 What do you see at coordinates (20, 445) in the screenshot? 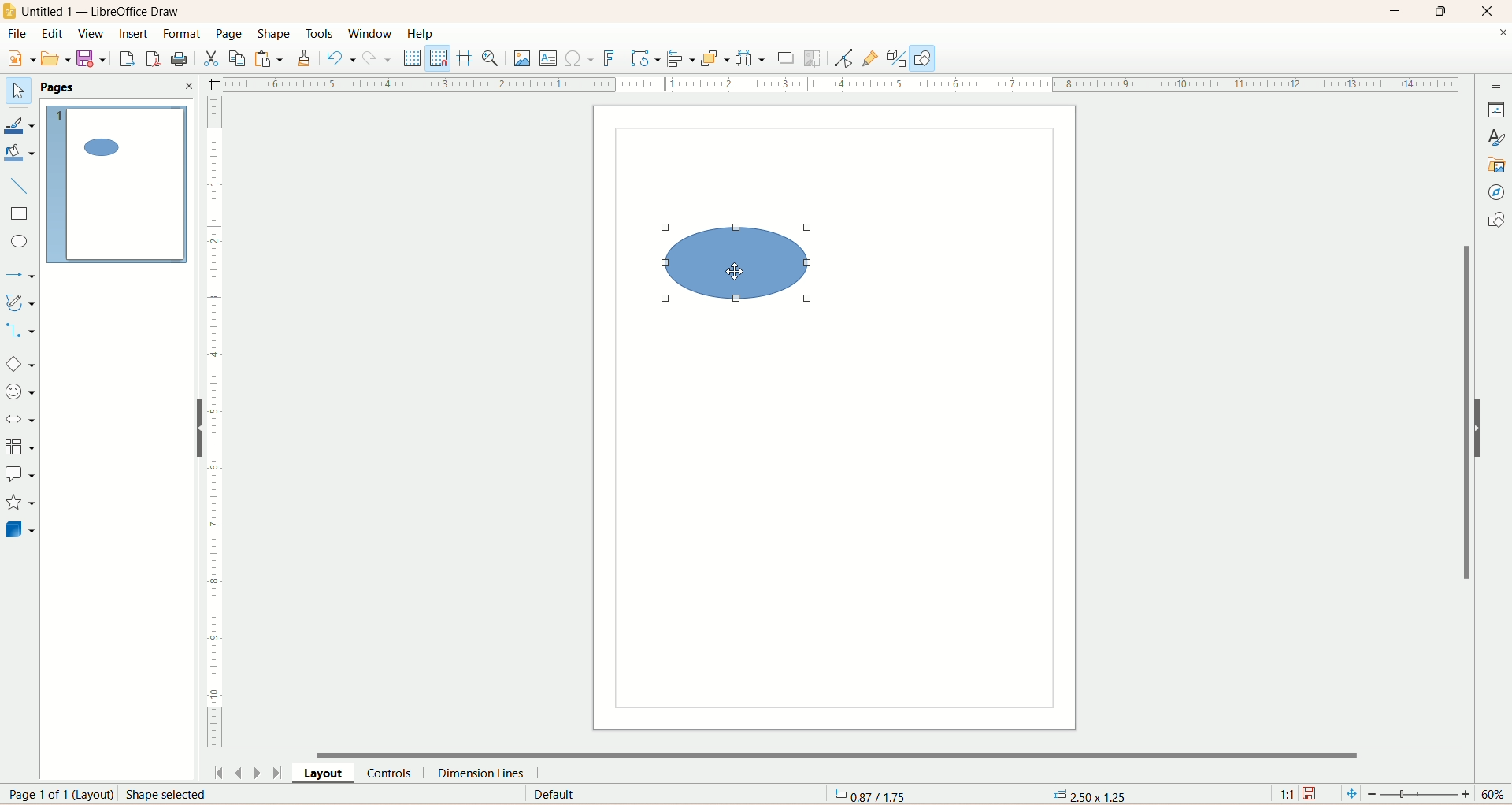
I see `flowchart` at bounding box center [20, 445].